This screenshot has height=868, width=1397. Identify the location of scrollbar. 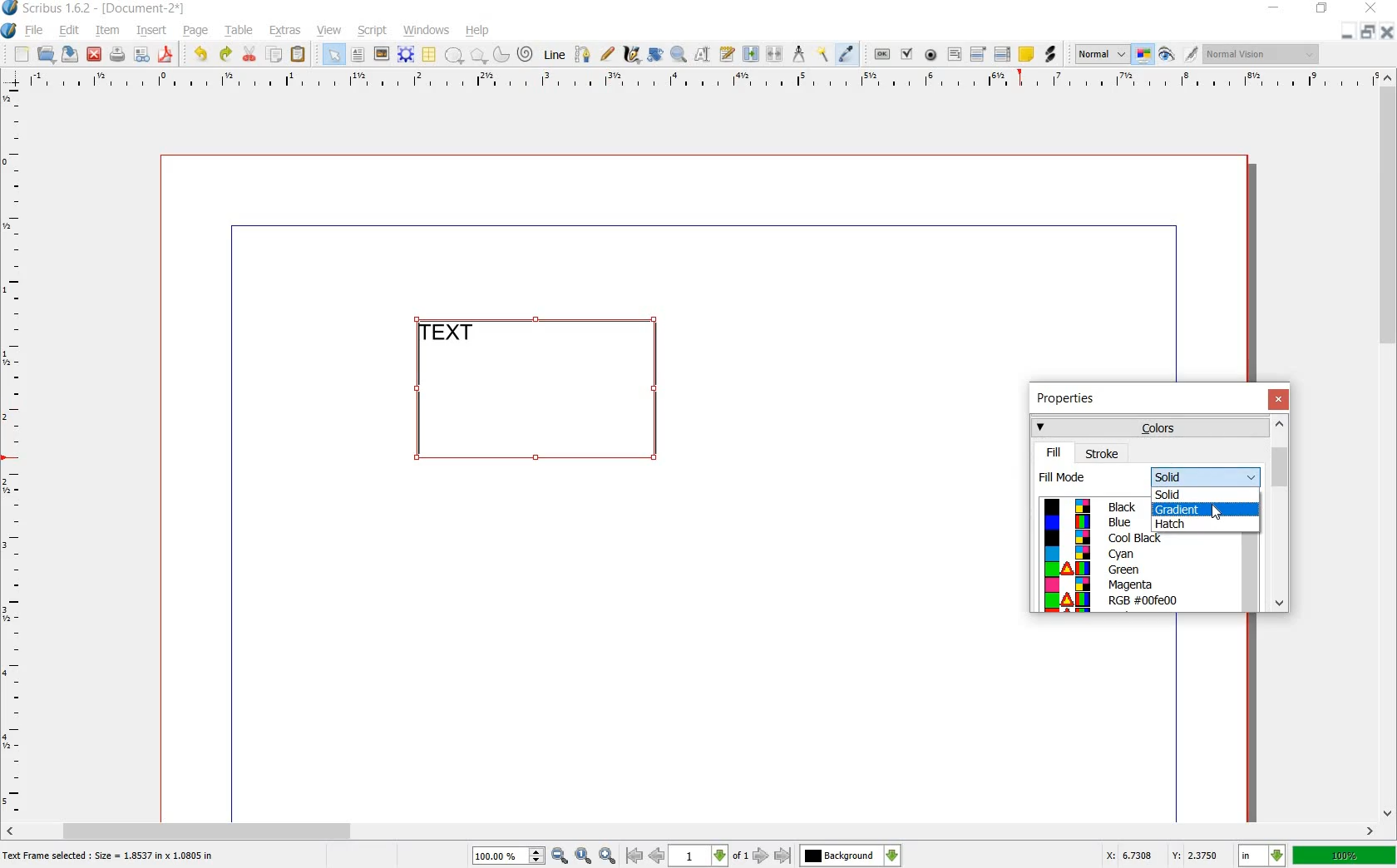
(1250, 557).